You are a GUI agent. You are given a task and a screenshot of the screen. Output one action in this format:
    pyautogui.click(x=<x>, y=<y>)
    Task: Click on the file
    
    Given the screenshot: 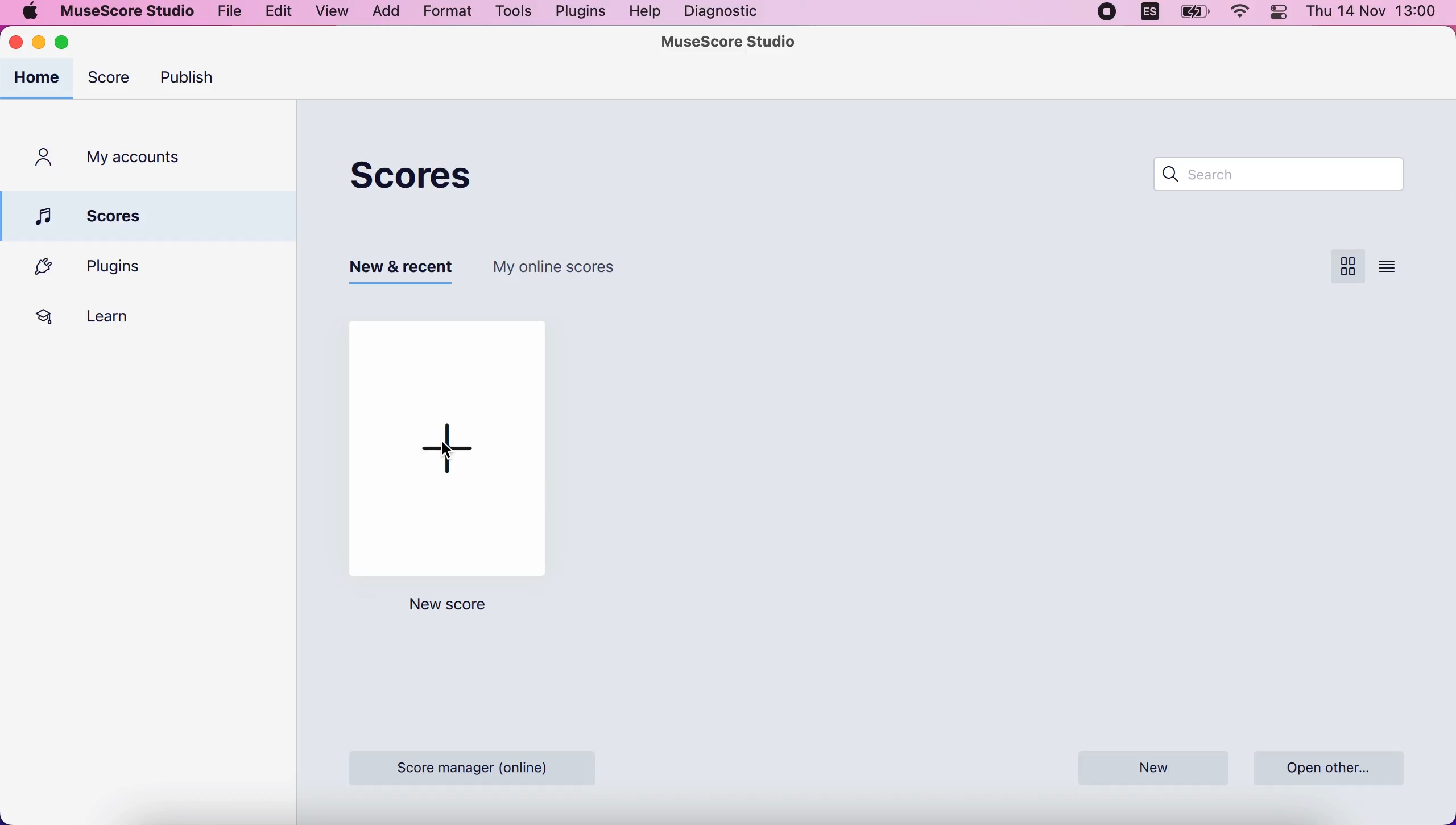 What is the action you would take?
    pyautogui.click(x=229, y=11)
    